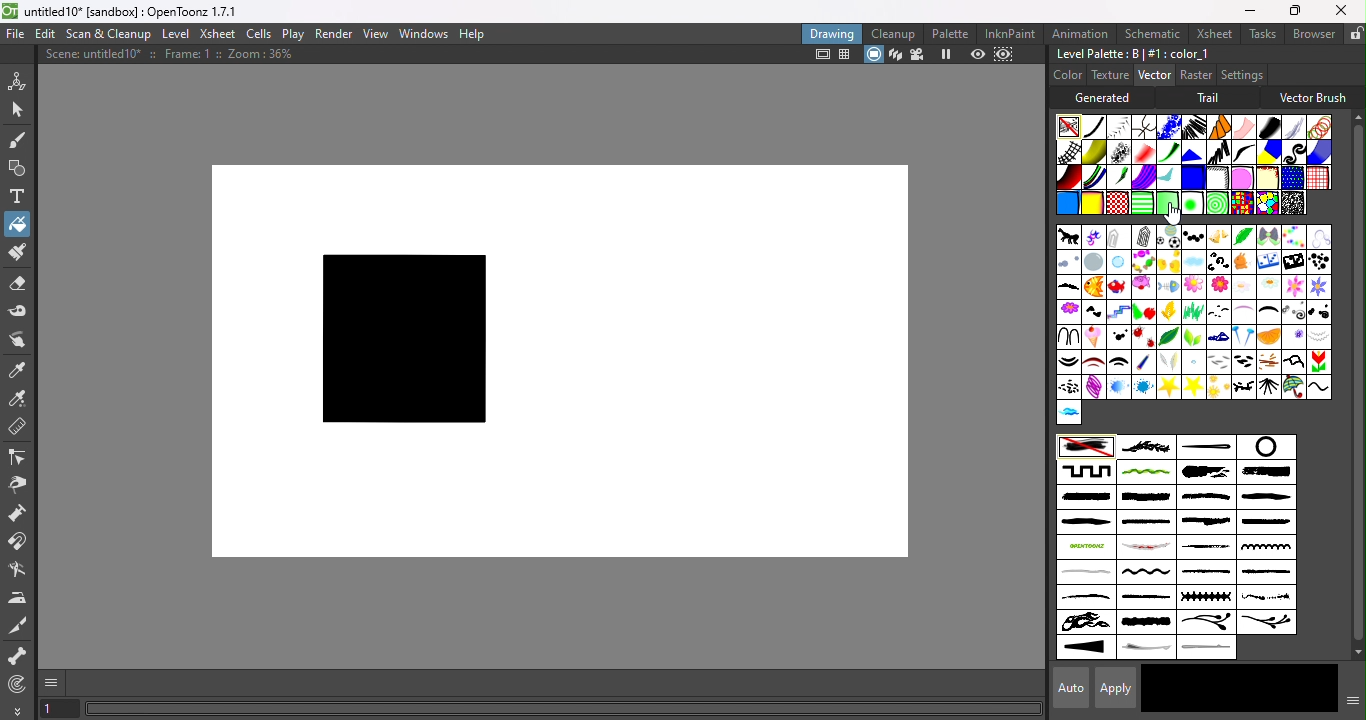 The image size is (1366, 720). Describe the element at coordinates (1151, 34) in the screenshot. I see `Schematic` at that location.